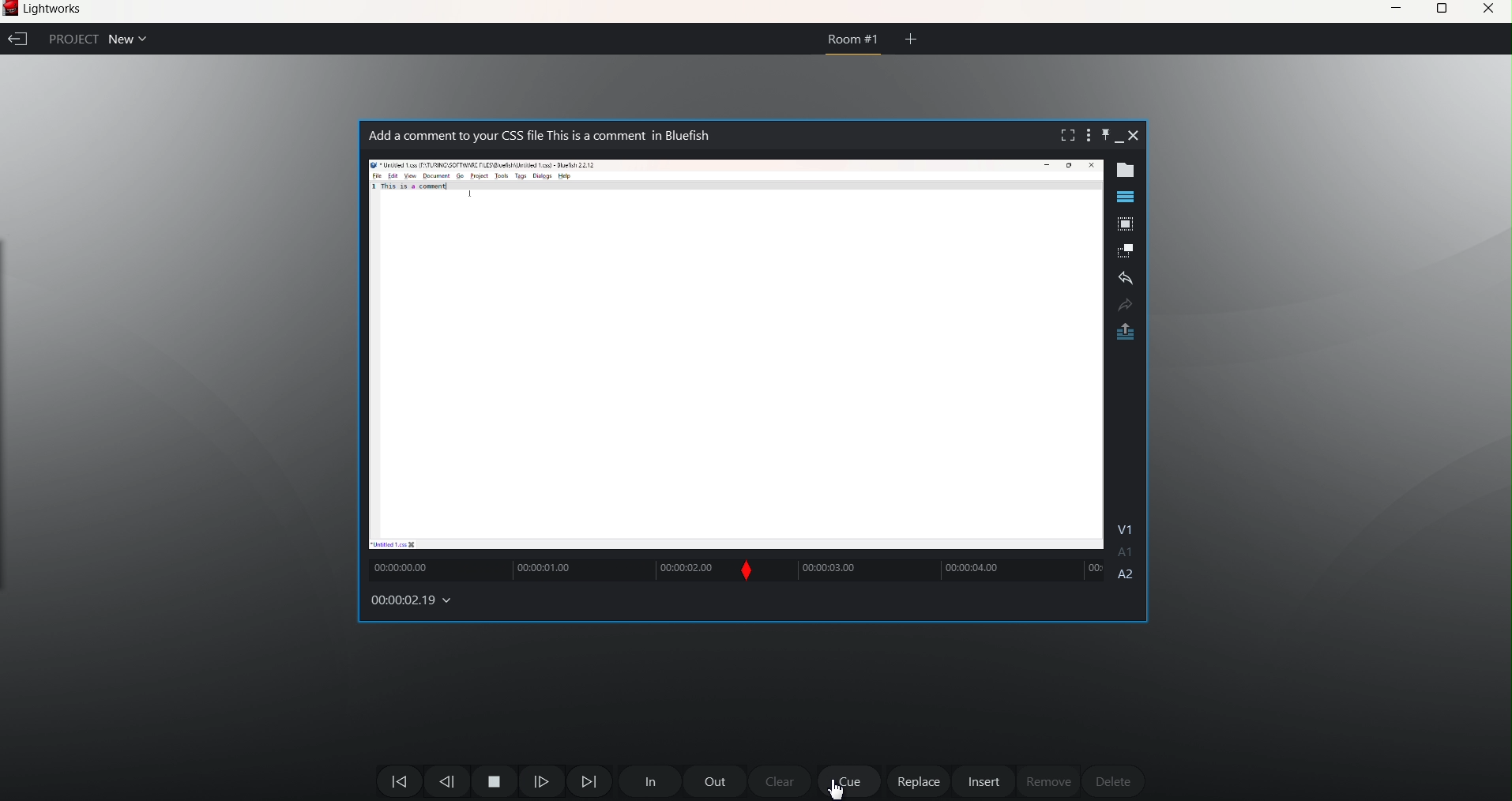  Describe the element at coordinates (984, 781) in the screenshot. I see `insert` at that location.